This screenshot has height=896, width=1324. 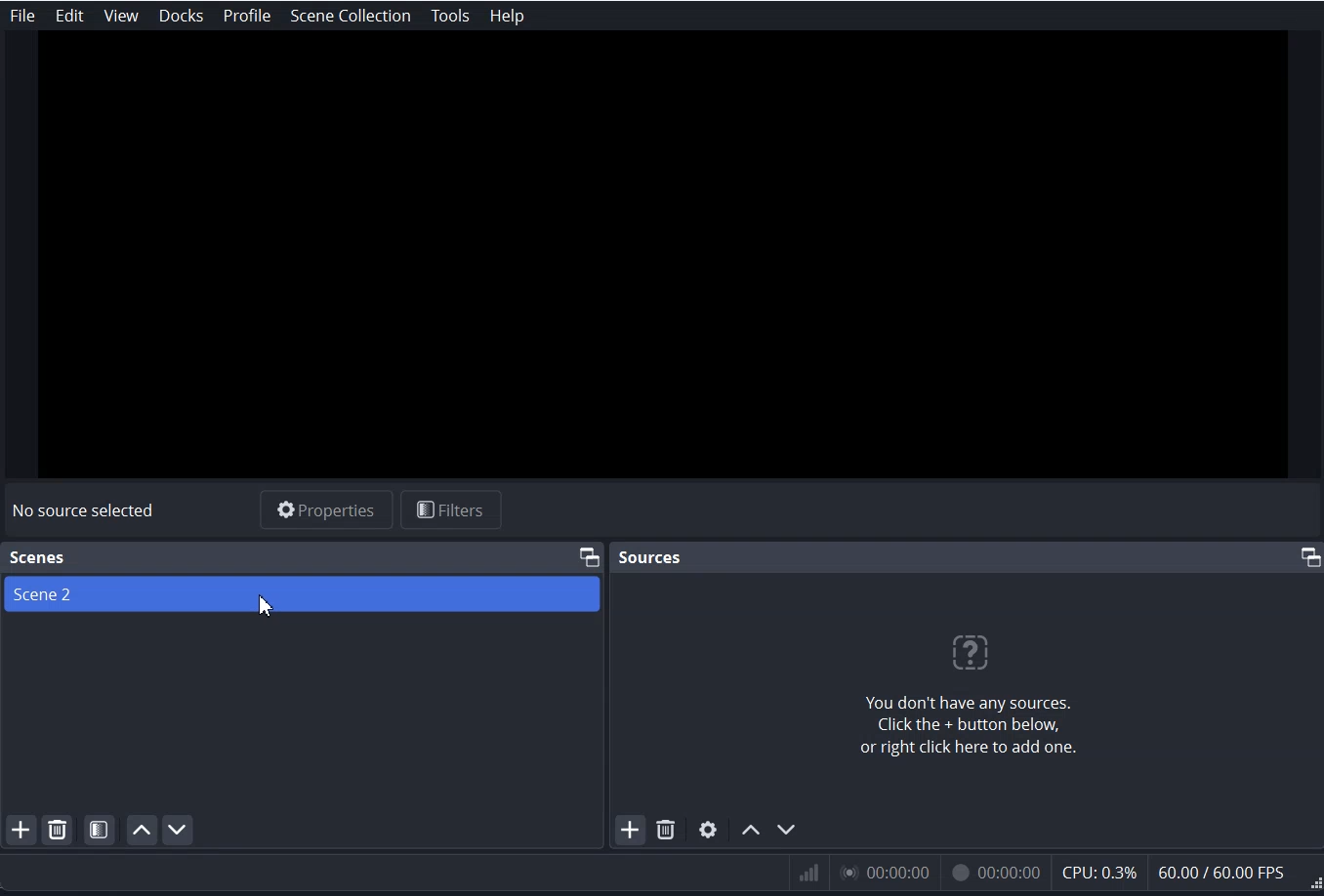 I want to click on View, so click(x=120, y=16).